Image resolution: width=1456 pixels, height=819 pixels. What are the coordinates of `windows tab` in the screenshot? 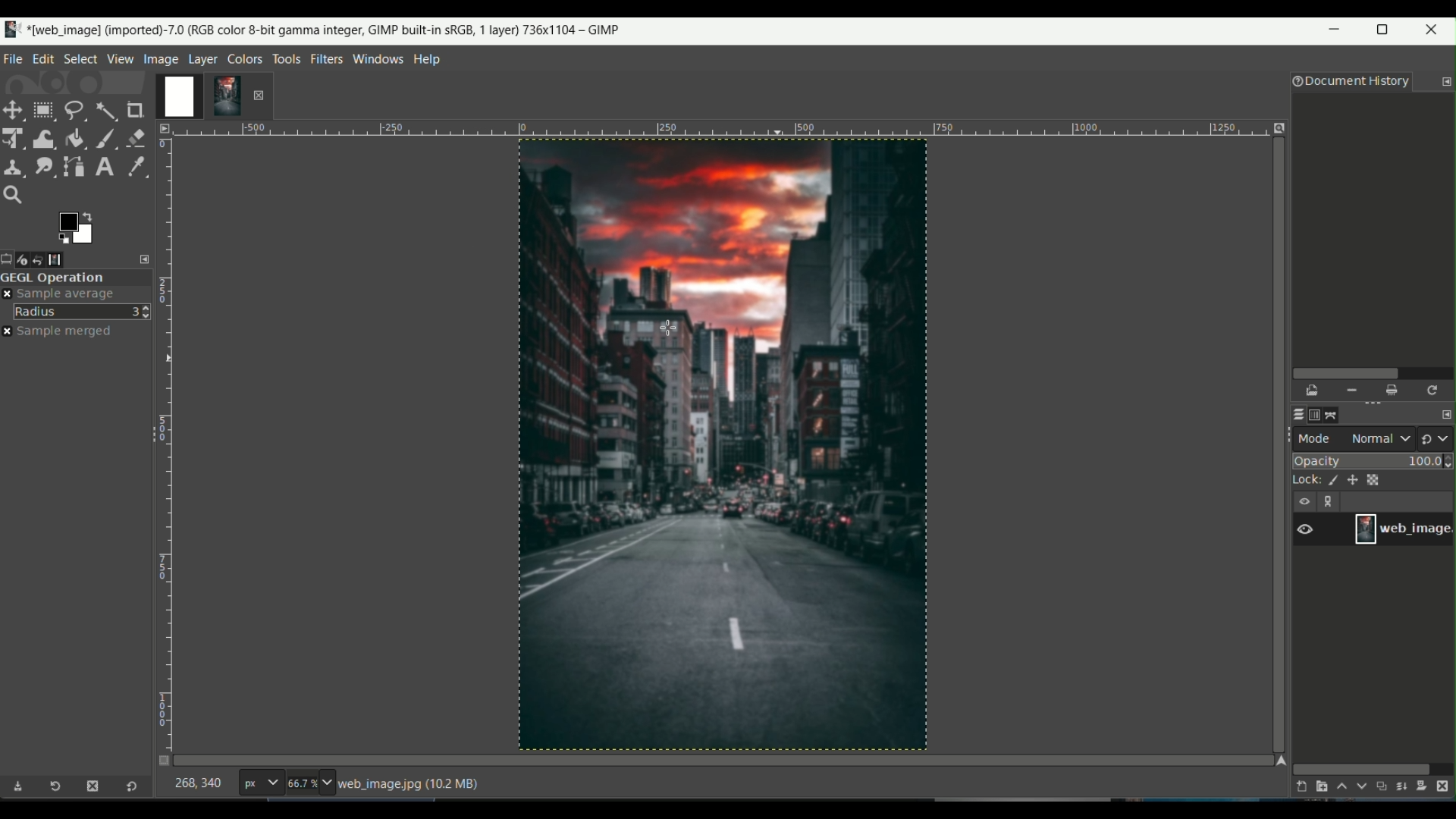 It's located at (379, 58).